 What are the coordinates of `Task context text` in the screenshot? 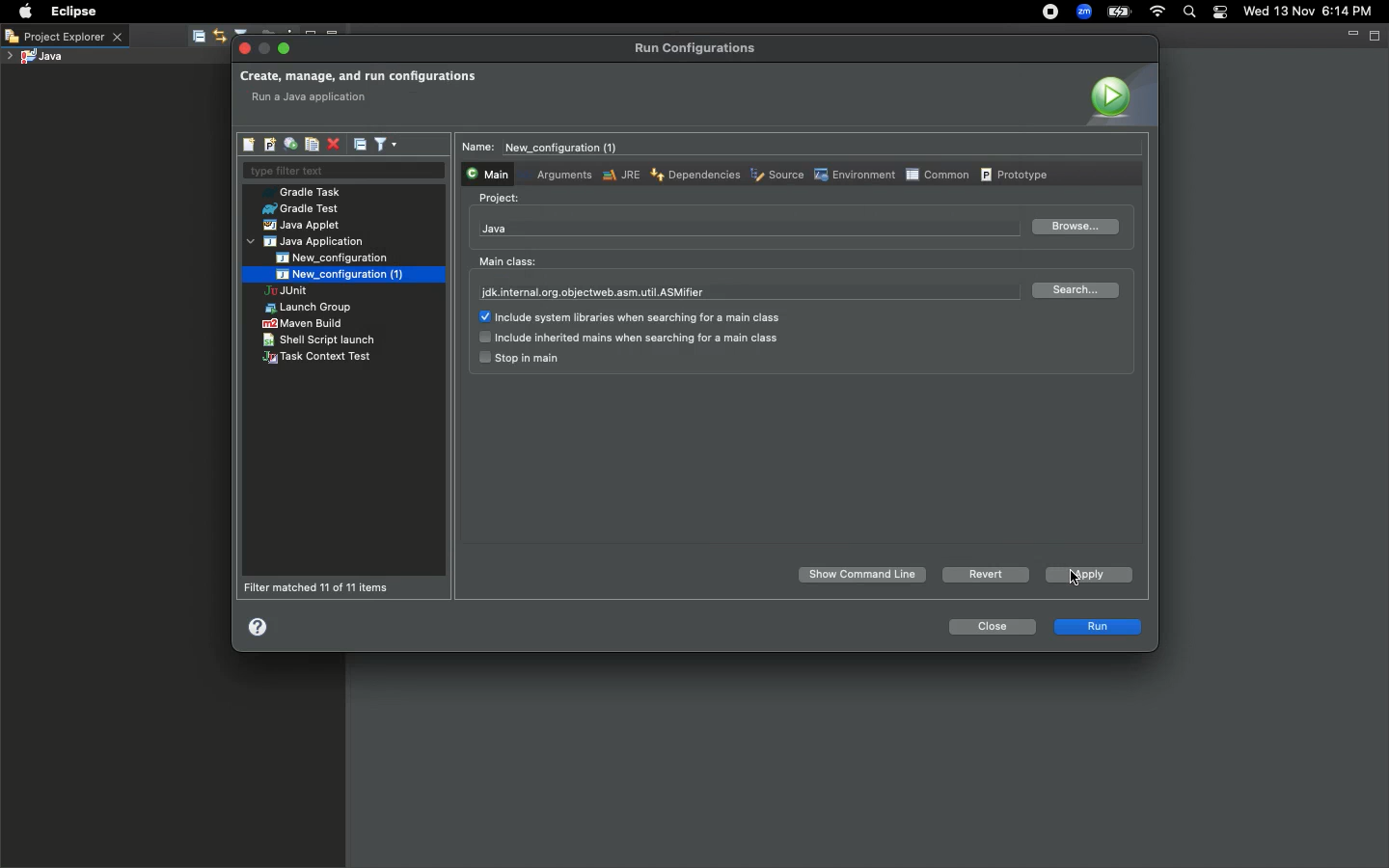 It's located at (319, 358).